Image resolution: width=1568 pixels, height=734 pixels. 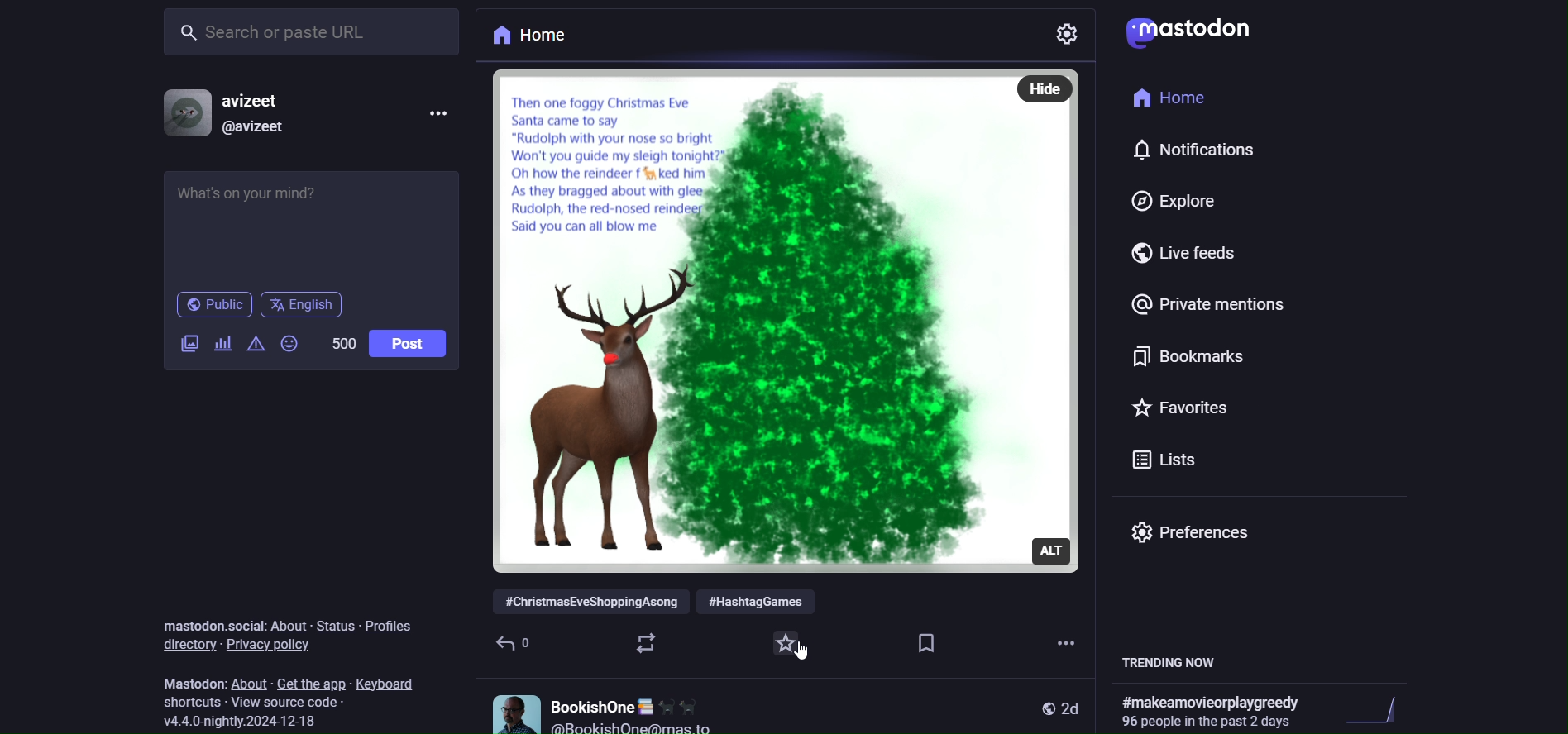 I want to click on poll, so click(x=222, y=342).